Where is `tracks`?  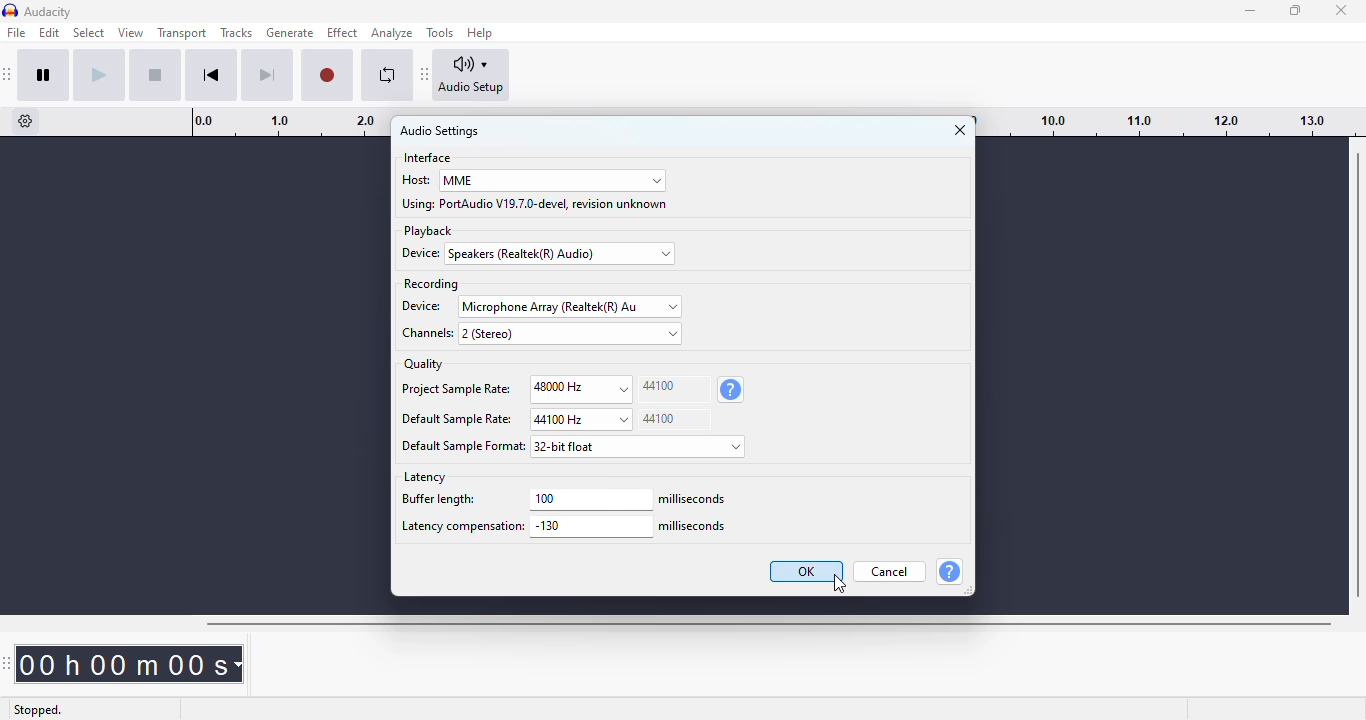
tracks is located at coordinates (236, 33).